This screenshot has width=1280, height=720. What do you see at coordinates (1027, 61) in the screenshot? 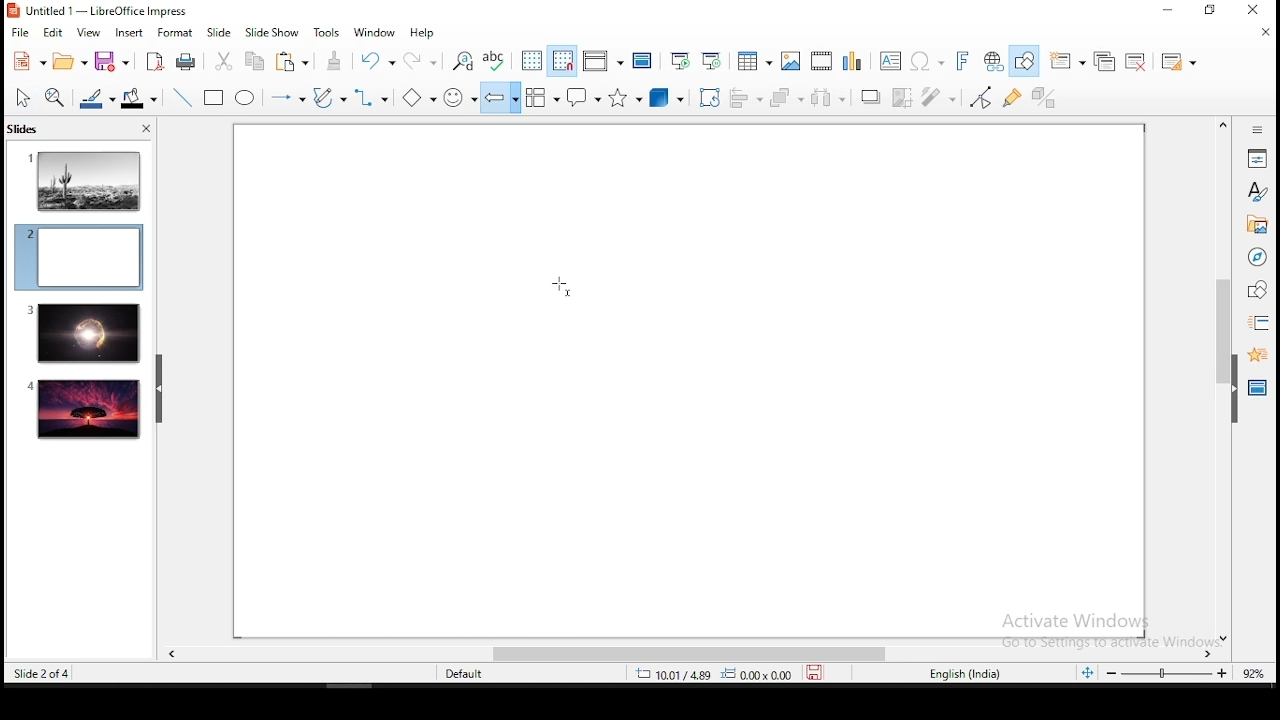
I see `show draw functions` at bounding box center [1027, 61].